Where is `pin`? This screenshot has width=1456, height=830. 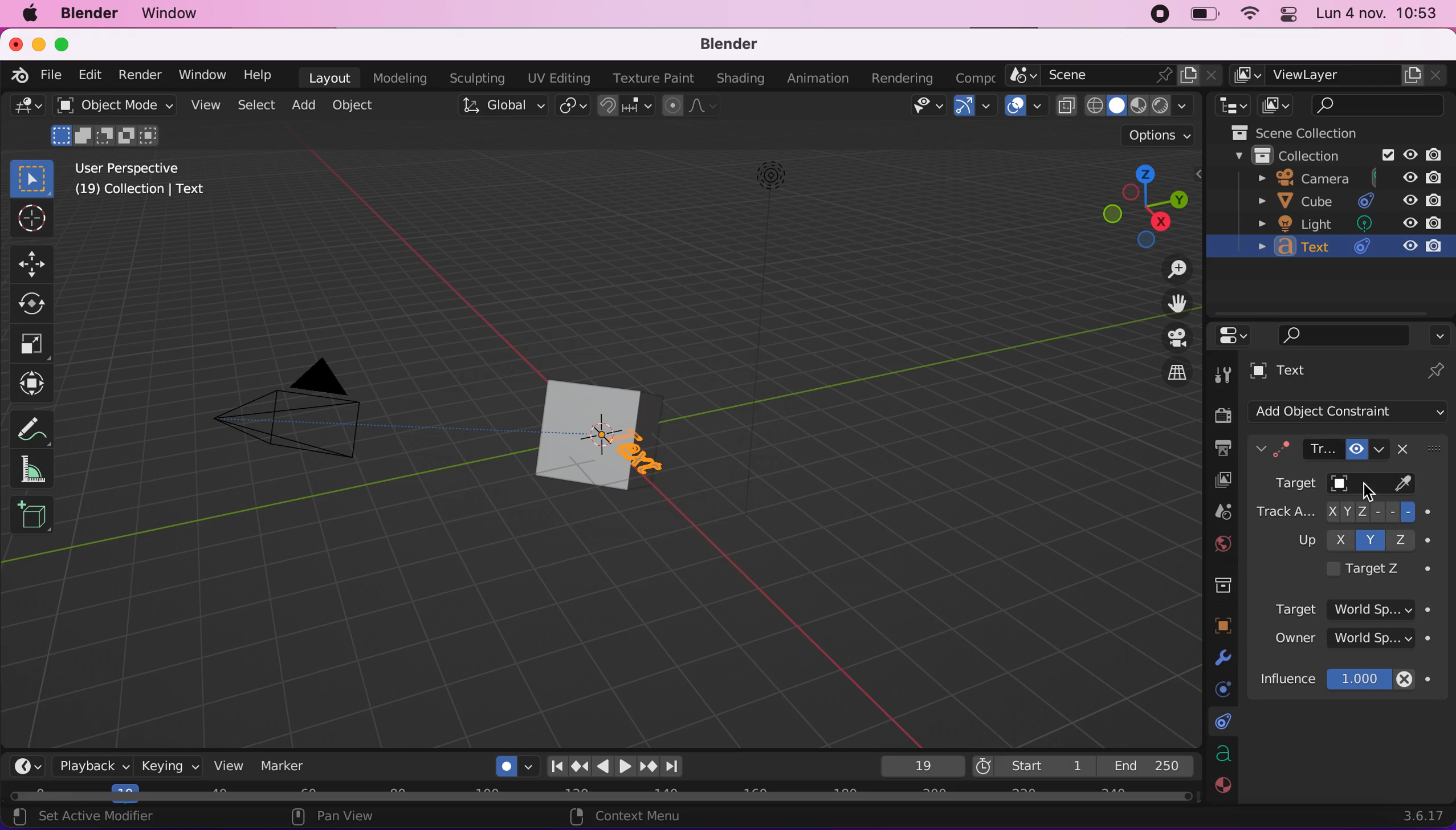
pin is located at coordinates (1436, 370).